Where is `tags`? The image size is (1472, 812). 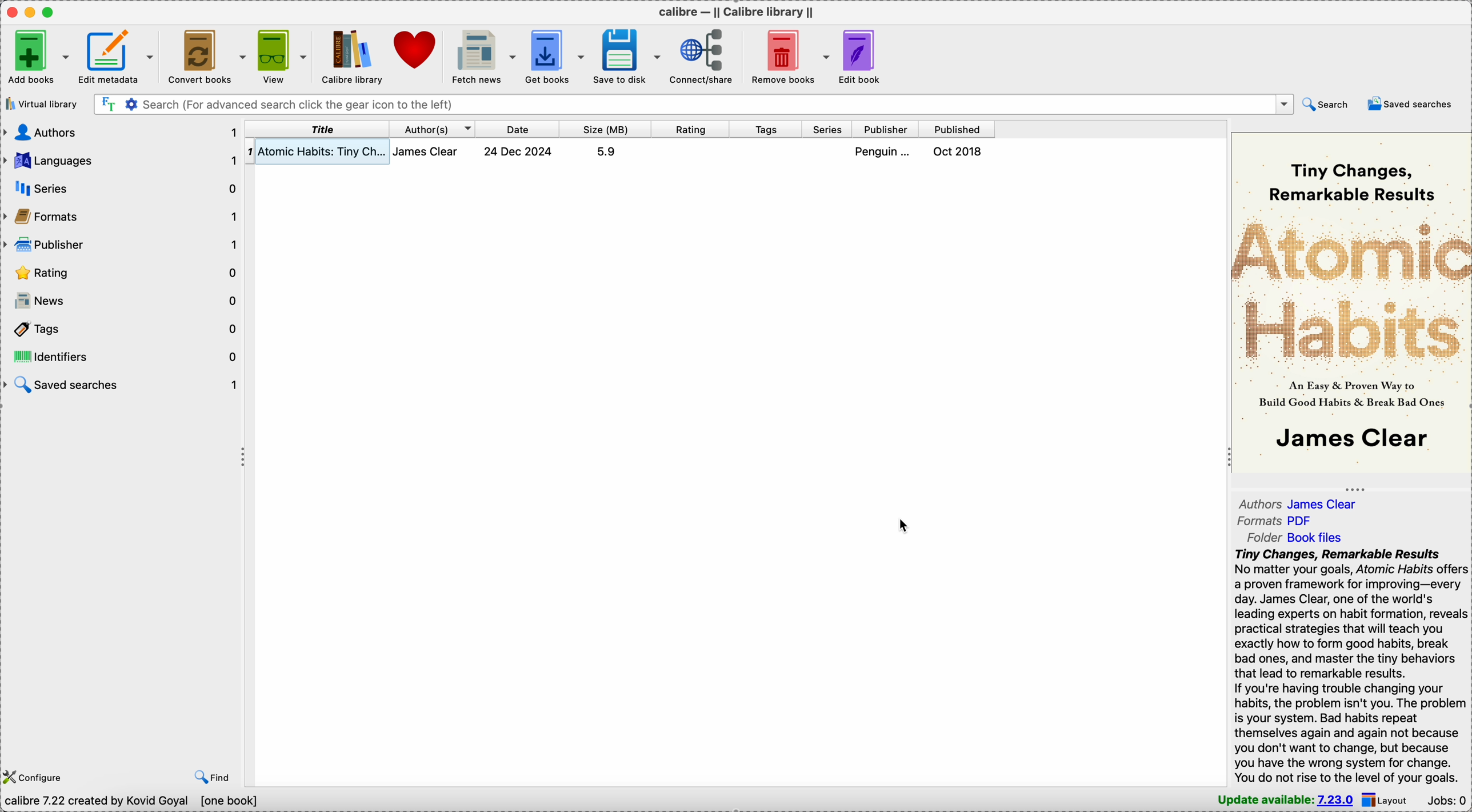 tags is located at coordinates (767, 130).